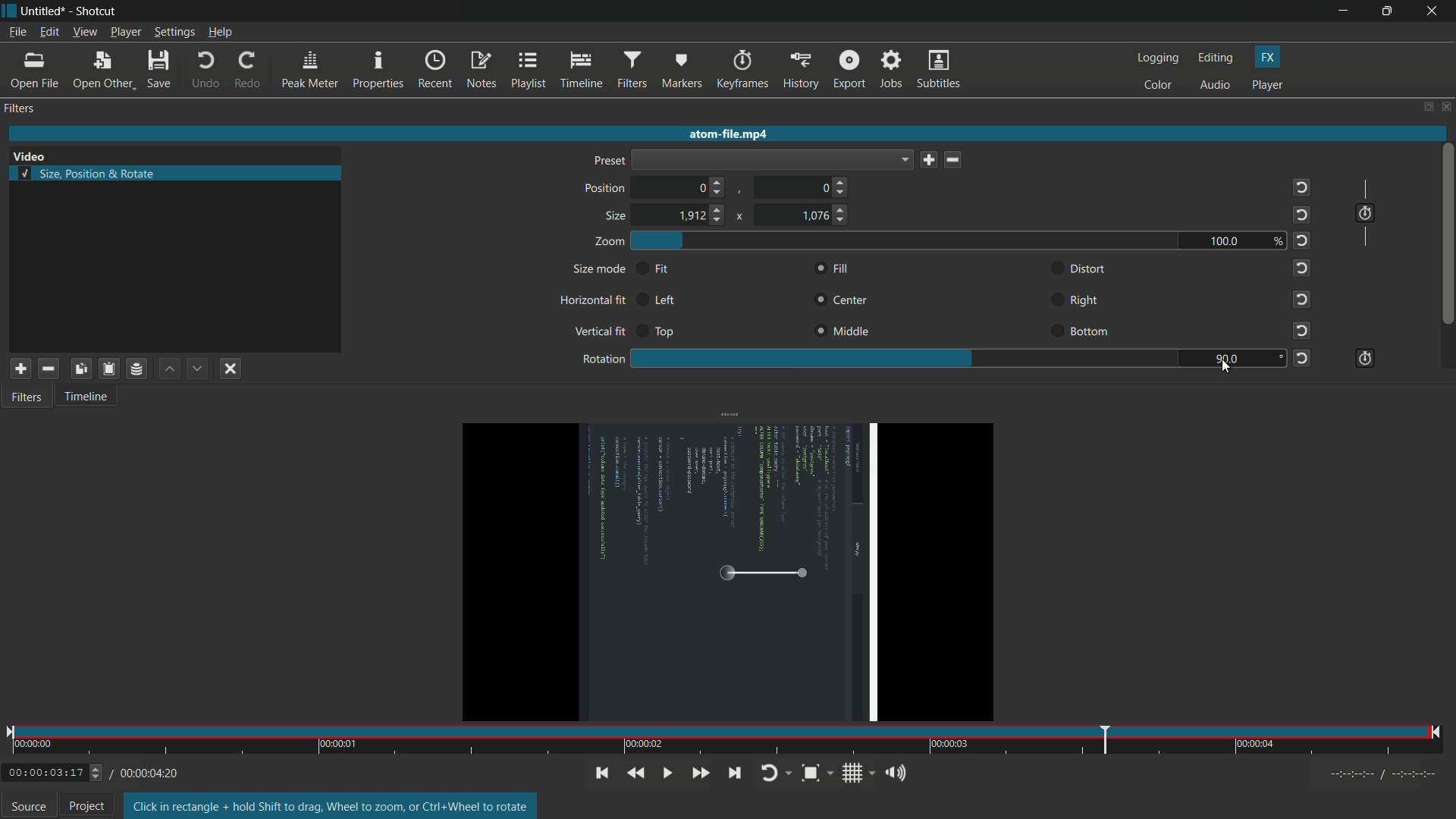 The height and width of the screenshot is (819, 1456). I want to click on |, so click(1371, 243).